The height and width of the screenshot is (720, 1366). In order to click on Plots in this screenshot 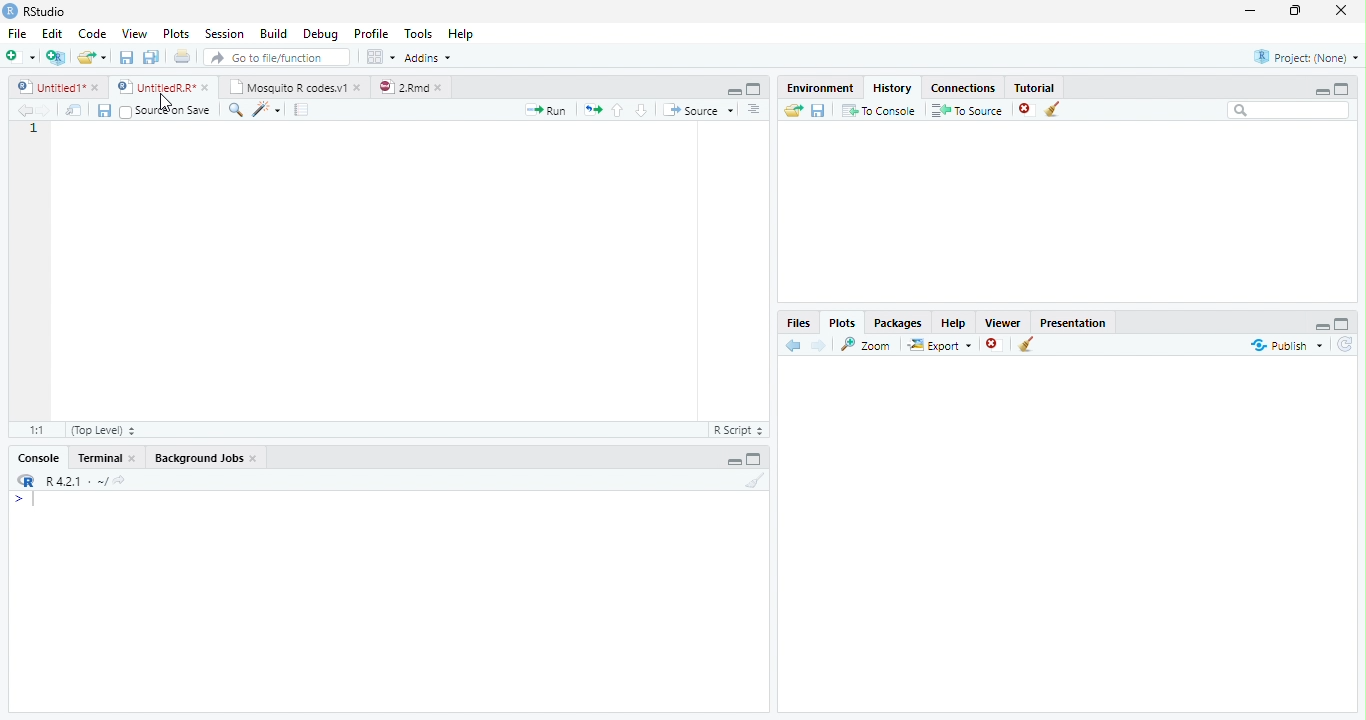, I will do `click(177, 32)`.